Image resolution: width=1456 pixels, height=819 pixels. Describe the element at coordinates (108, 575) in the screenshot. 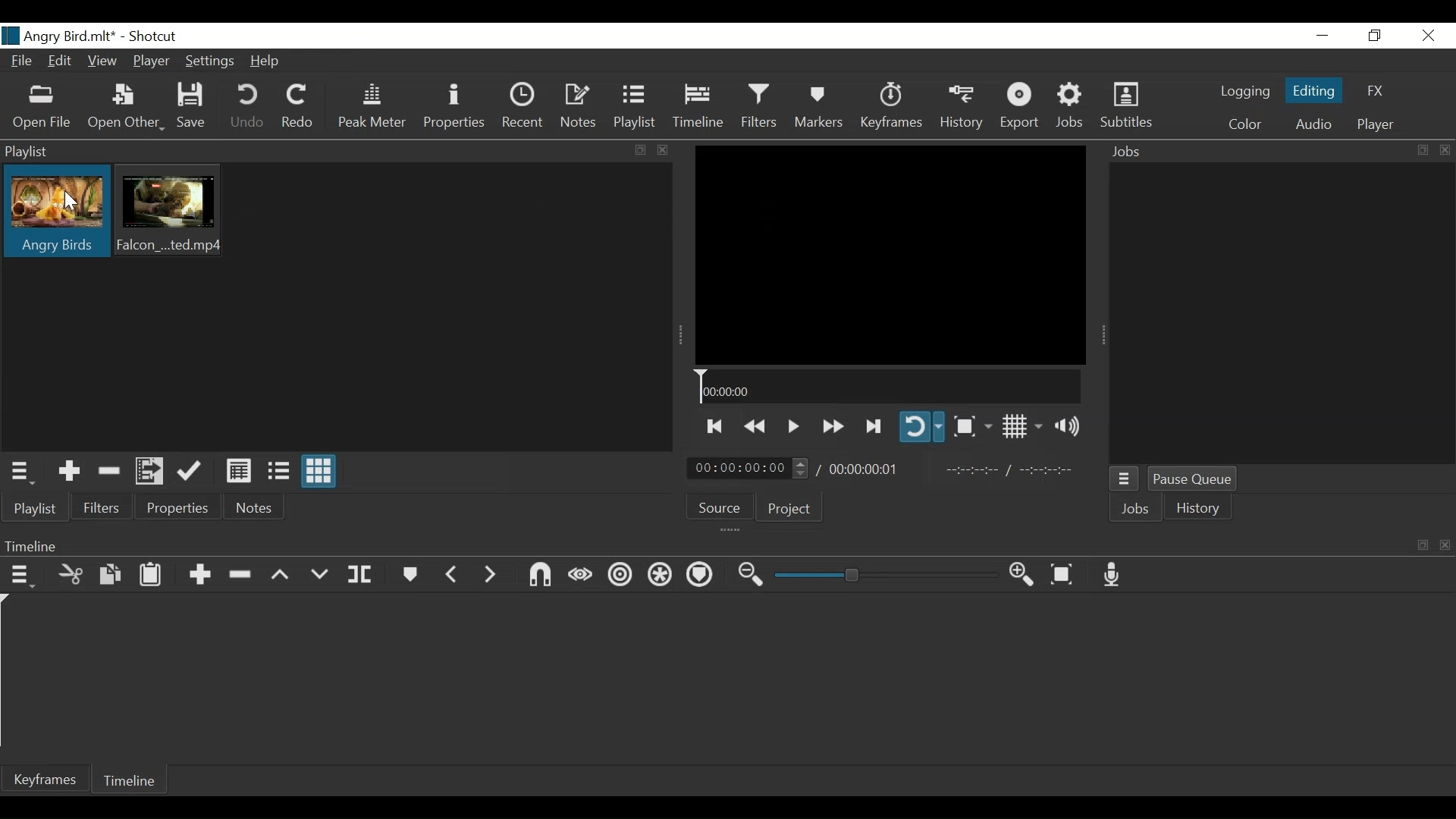

I see `Copy` at that location.